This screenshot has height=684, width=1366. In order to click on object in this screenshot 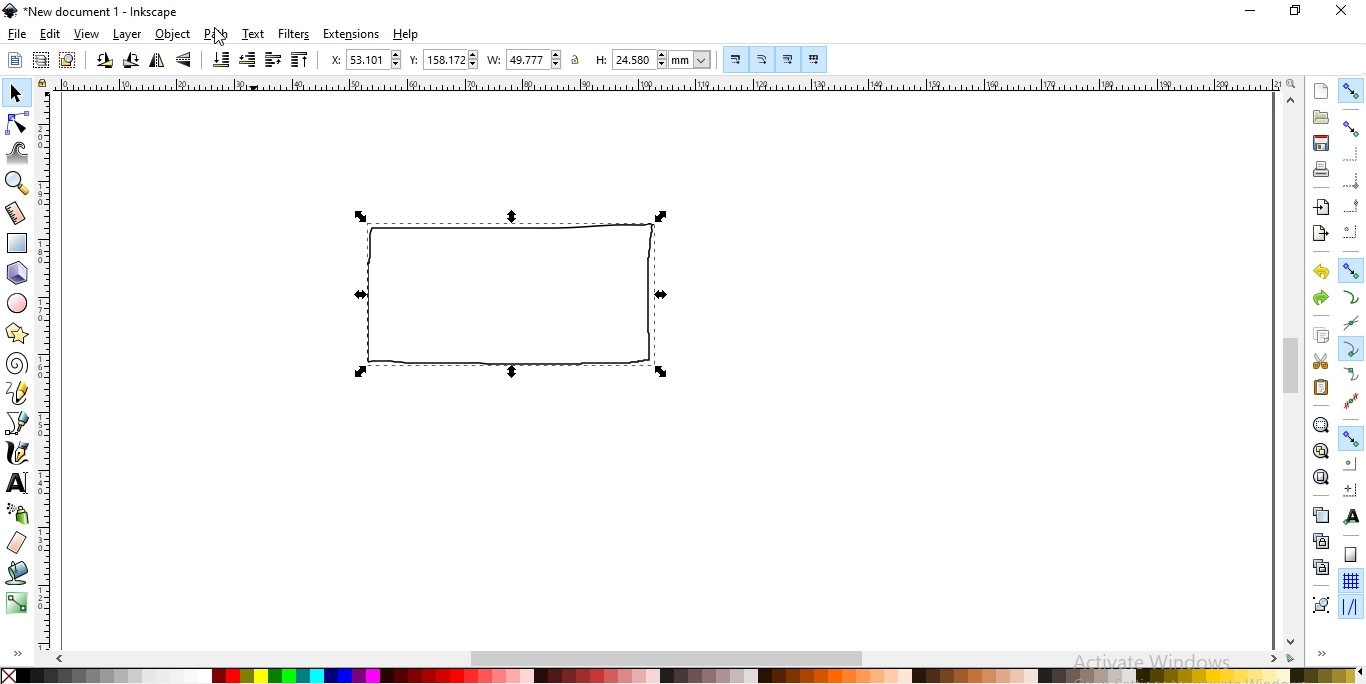, I will do `click(172, 34)`.